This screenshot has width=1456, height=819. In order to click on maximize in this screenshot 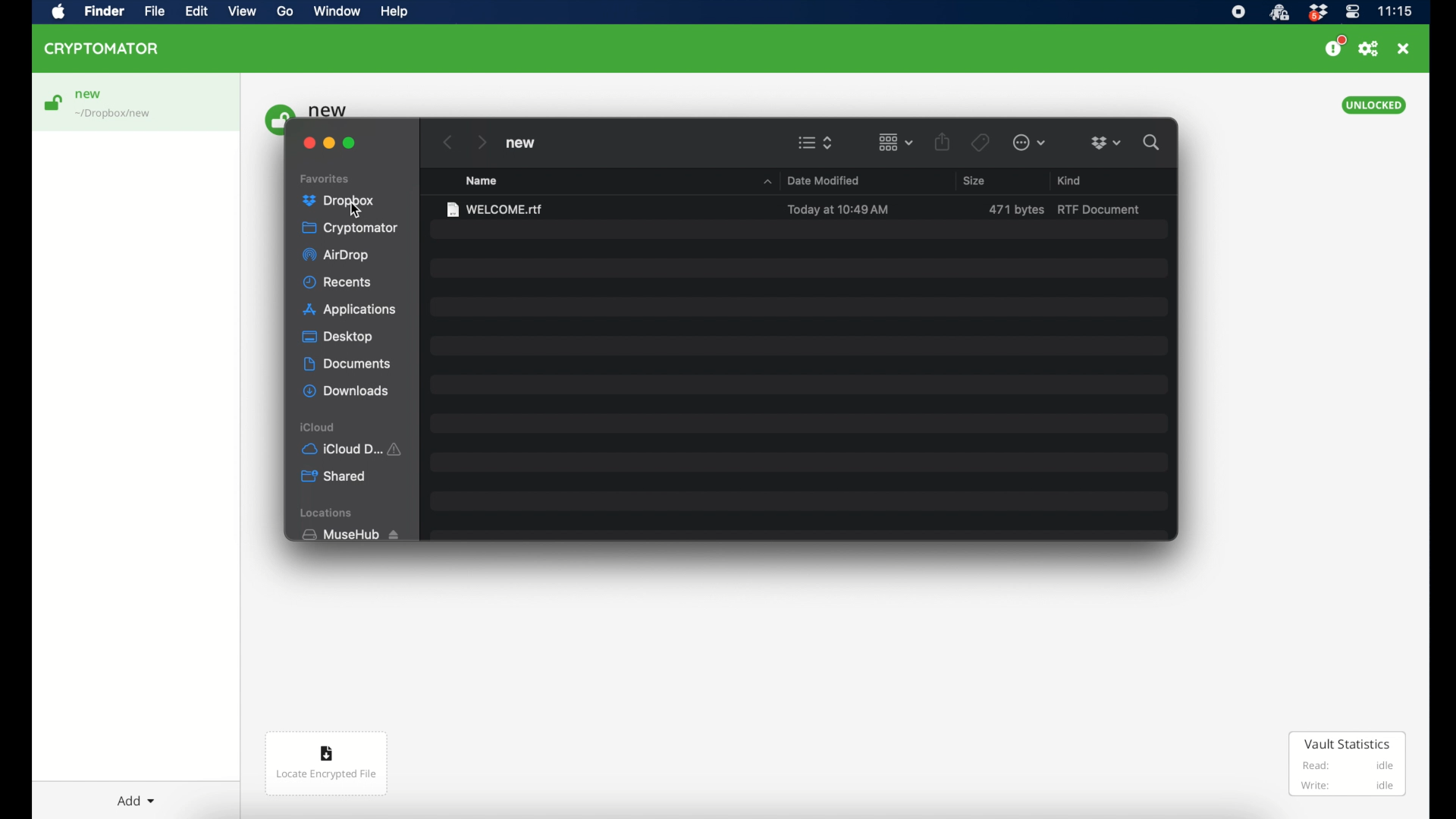, I will do `click(350, 143)`.